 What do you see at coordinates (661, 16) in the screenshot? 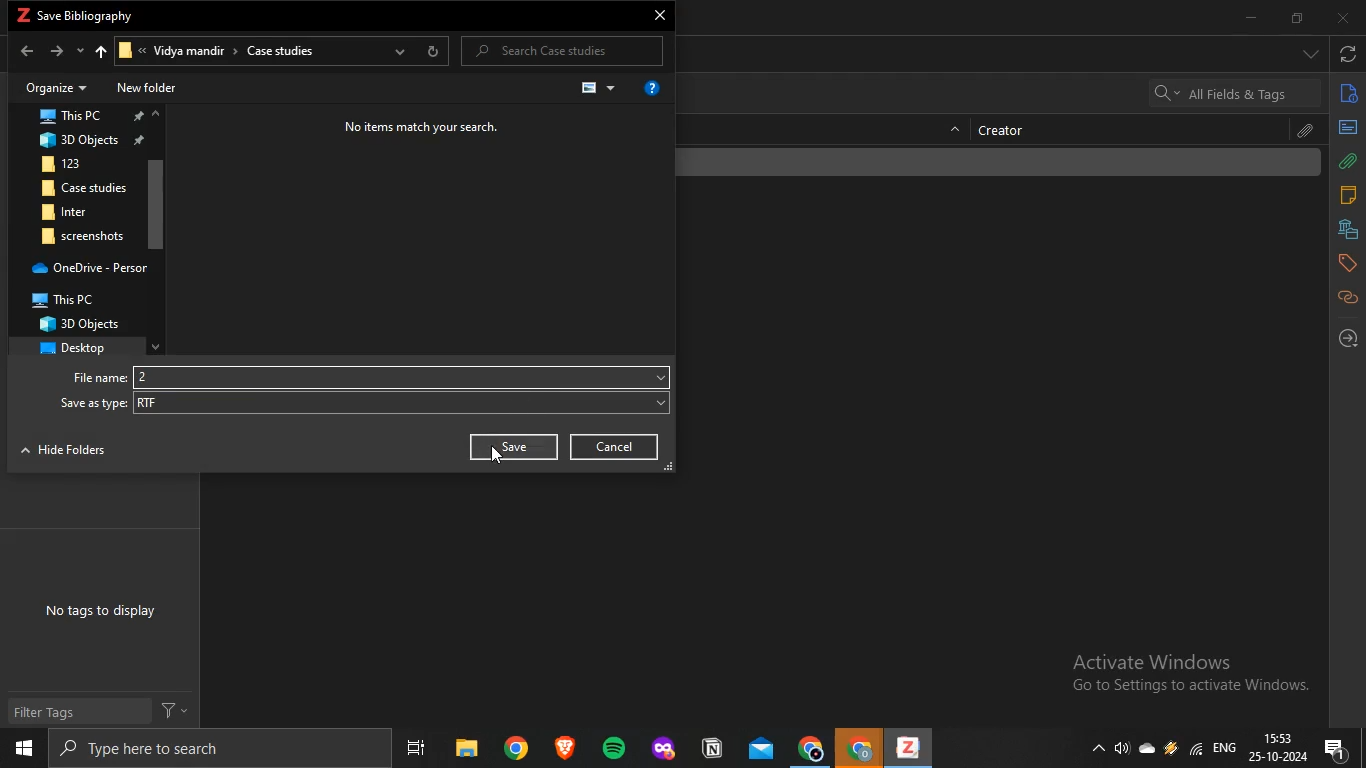
I see `close` at bounding box center [661, 16].